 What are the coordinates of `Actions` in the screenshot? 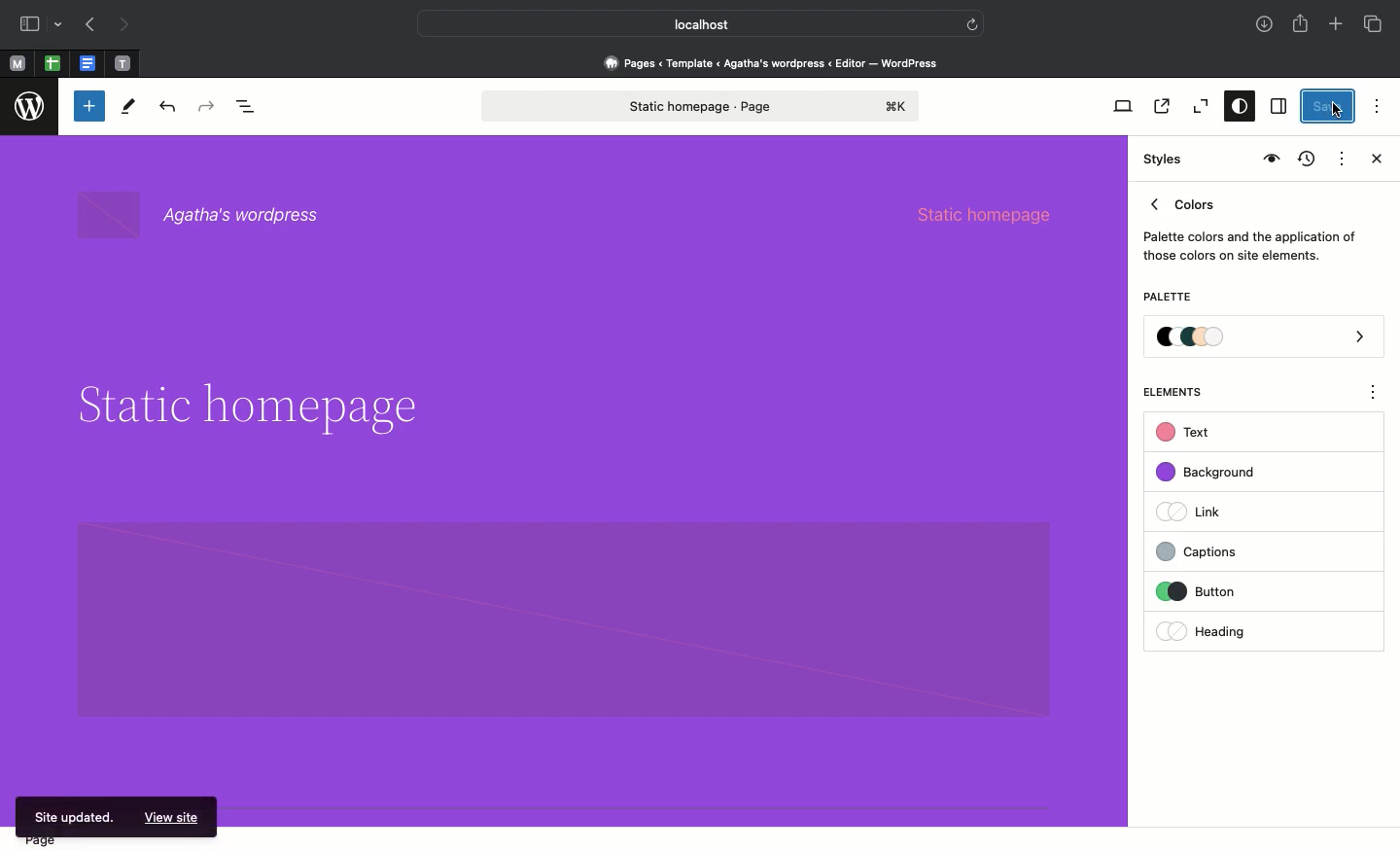 It's located at (1340, 157).